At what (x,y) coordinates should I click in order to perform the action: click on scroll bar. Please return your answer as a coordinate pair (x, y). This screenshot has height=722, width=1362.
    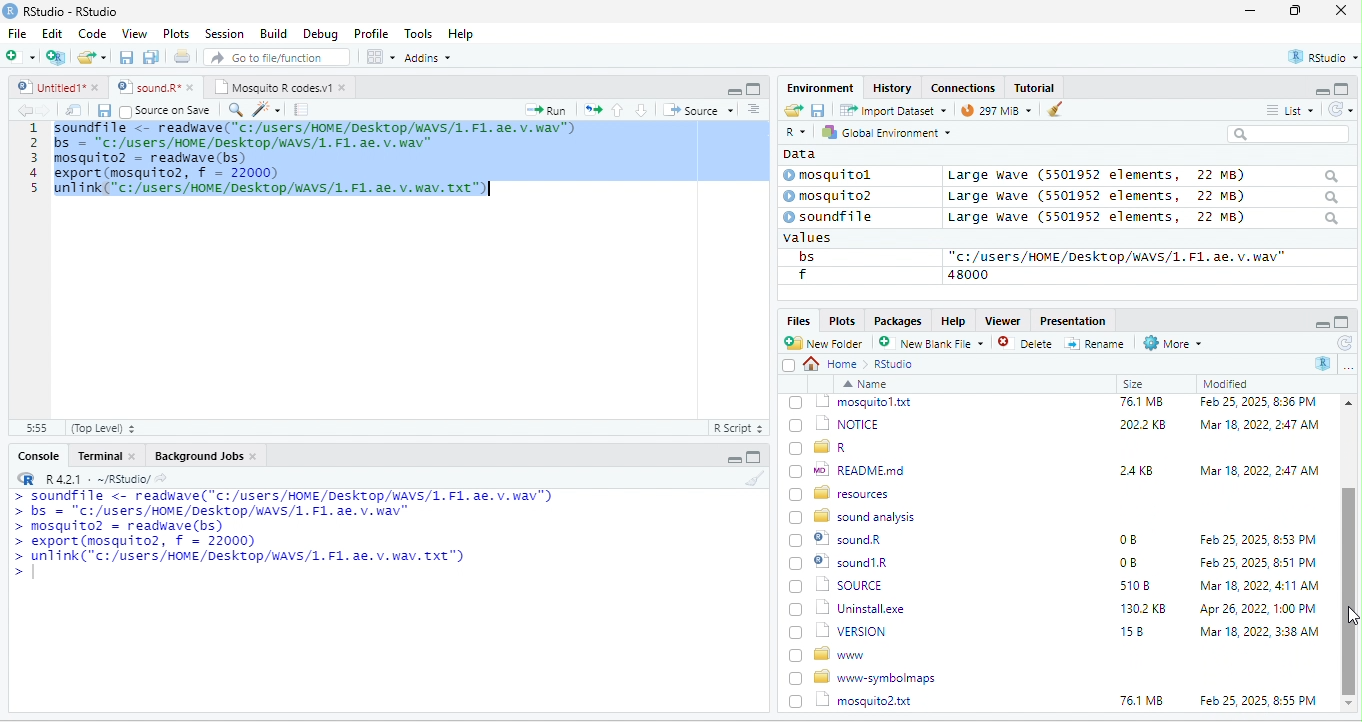
    Looking at the image, I should click on (1349, 554).